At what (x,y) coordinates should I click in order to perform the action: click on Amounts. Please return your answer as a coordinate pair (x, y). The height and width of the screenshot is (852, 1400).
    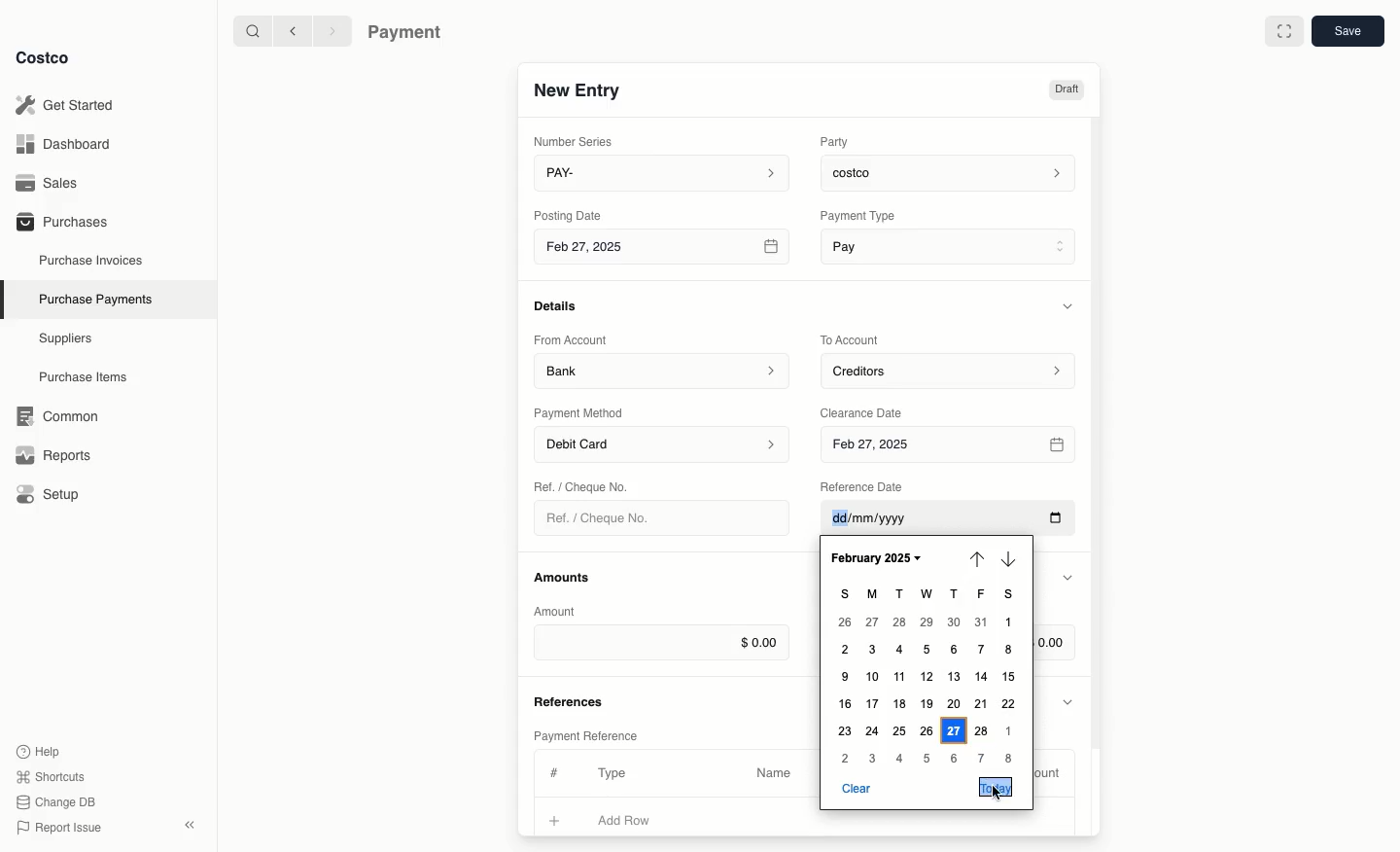
    Looking at the image, I should click on (564, 577).